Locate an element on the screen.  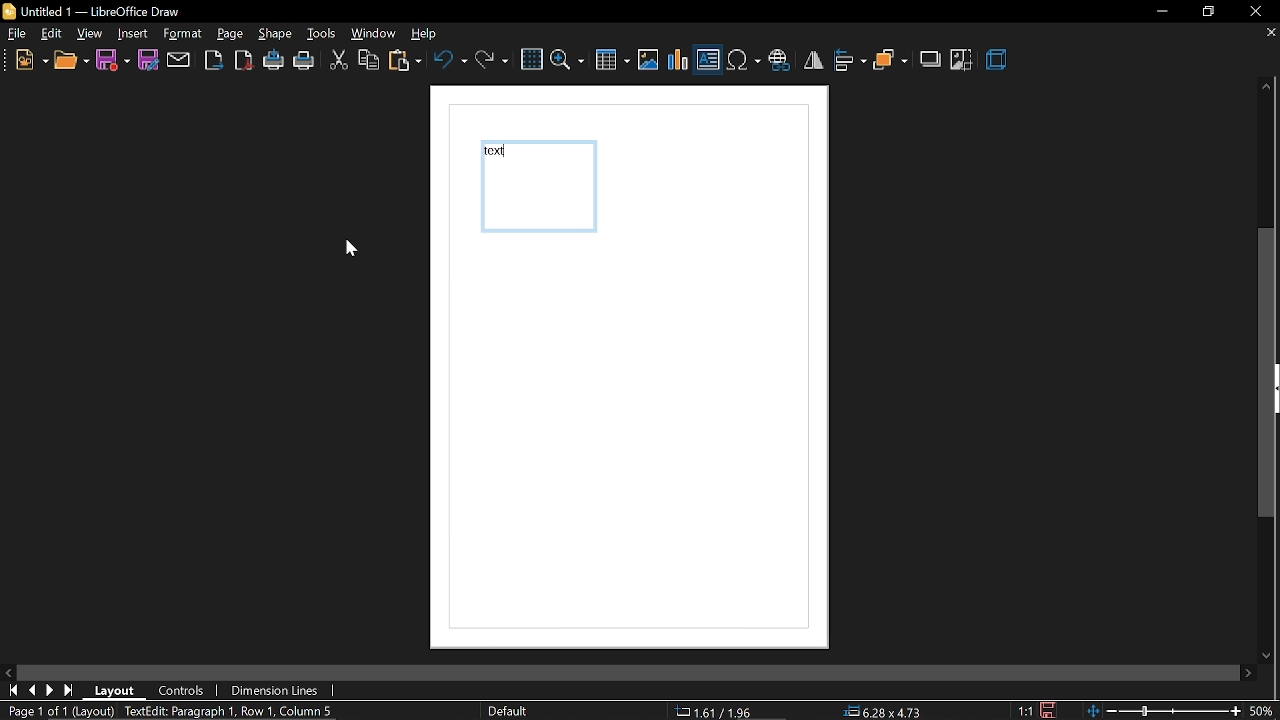
save is located at coordinates (113, 59).